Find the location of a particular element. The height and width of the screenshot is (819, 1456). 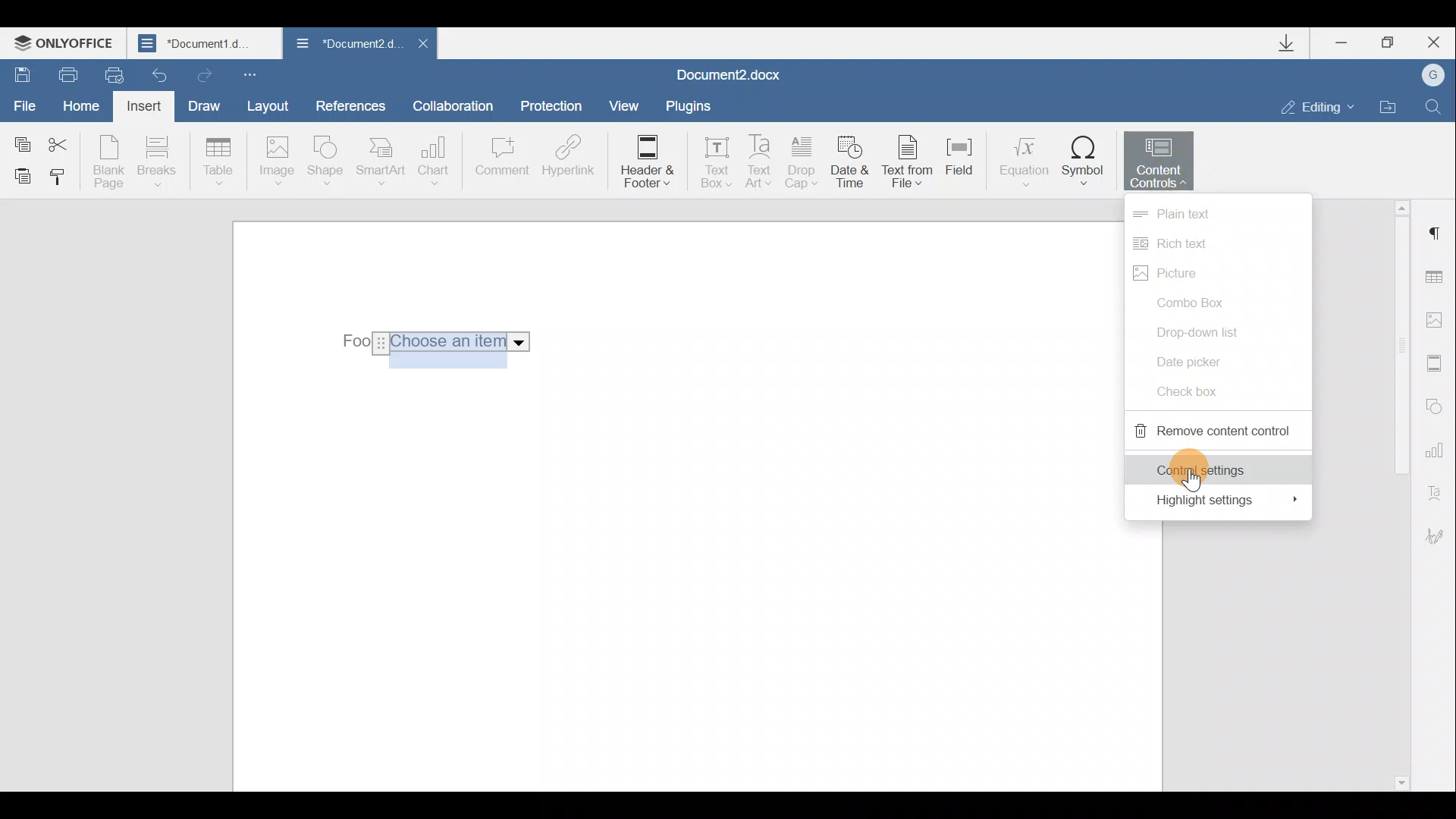

References is located at coordinates (350, 104).